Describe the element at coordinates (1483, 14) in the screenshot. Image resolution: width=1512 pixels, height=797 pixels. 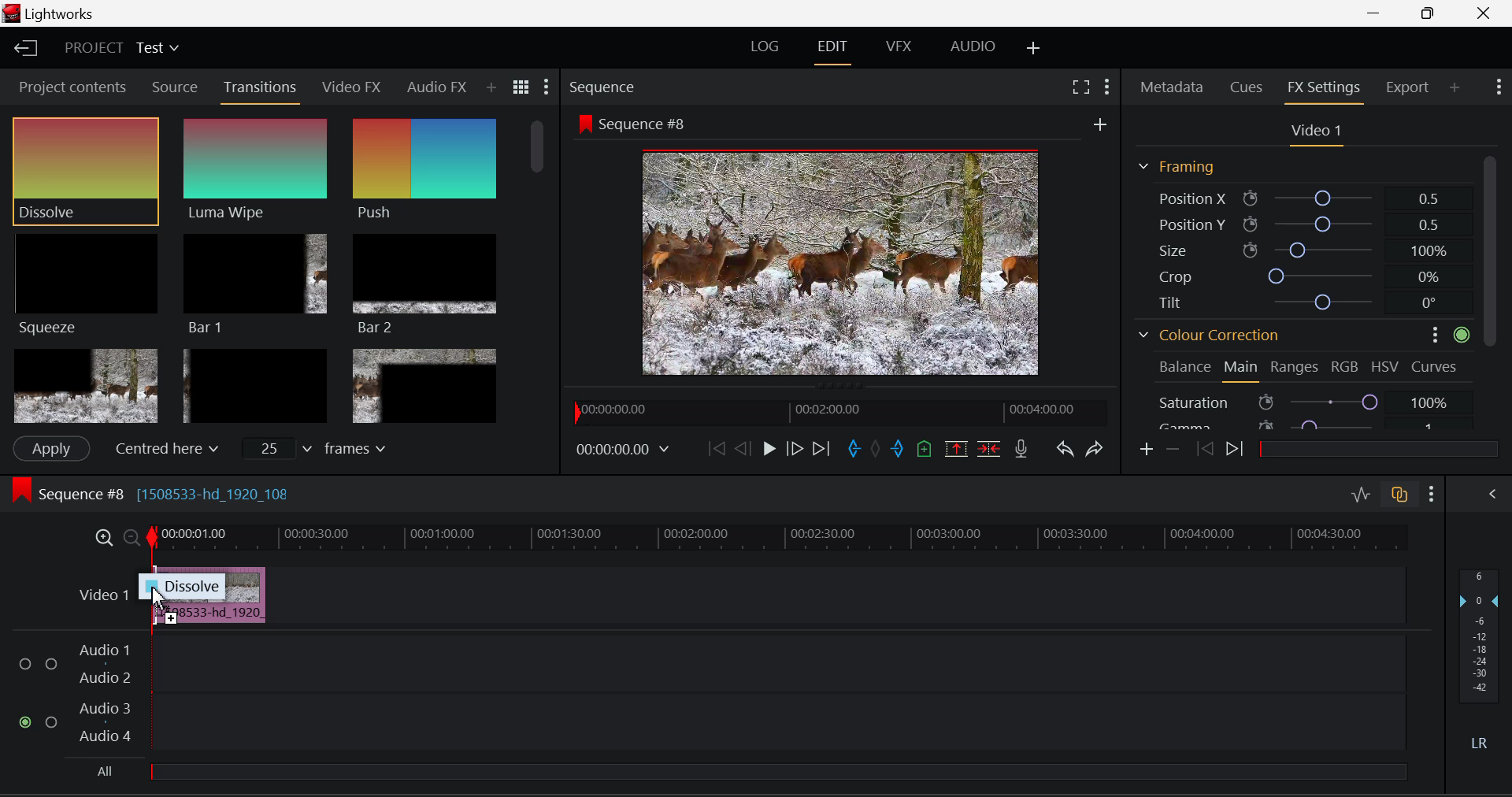
I see `Close` at that location.